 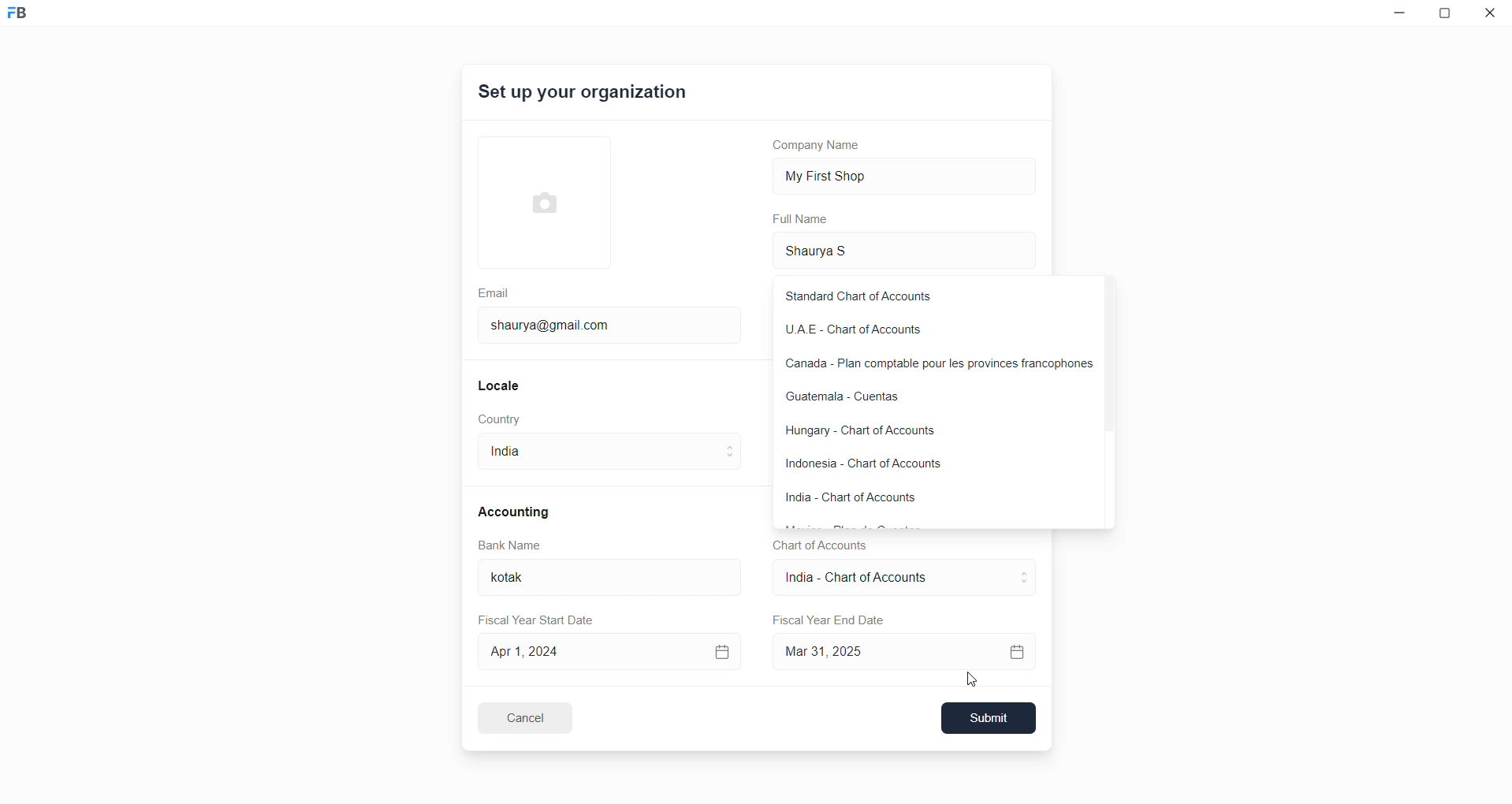 I want to click on Accounting, so click(x=516, y=511).